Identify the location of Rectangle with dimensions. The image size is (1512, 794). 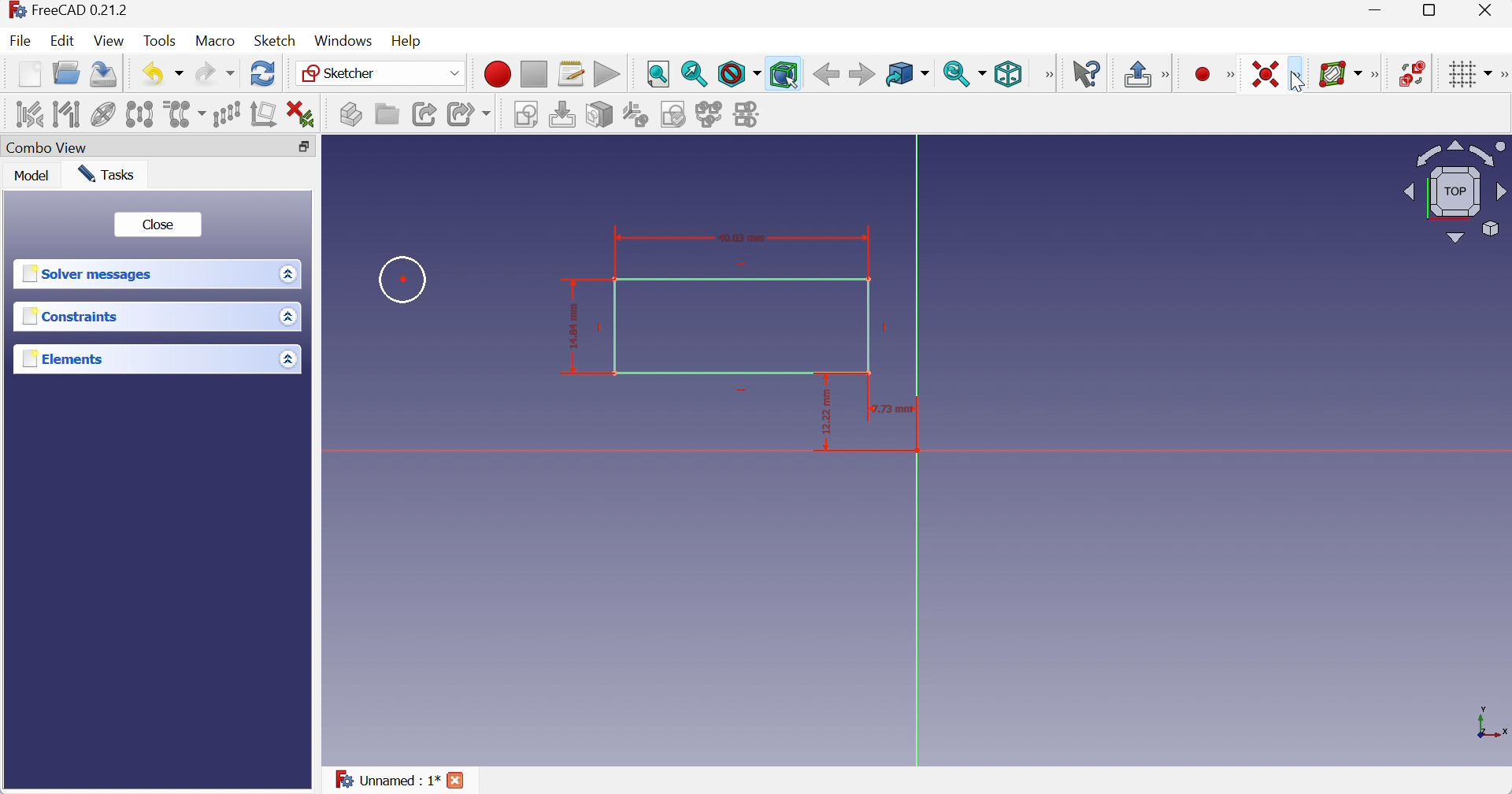
(732, 337).